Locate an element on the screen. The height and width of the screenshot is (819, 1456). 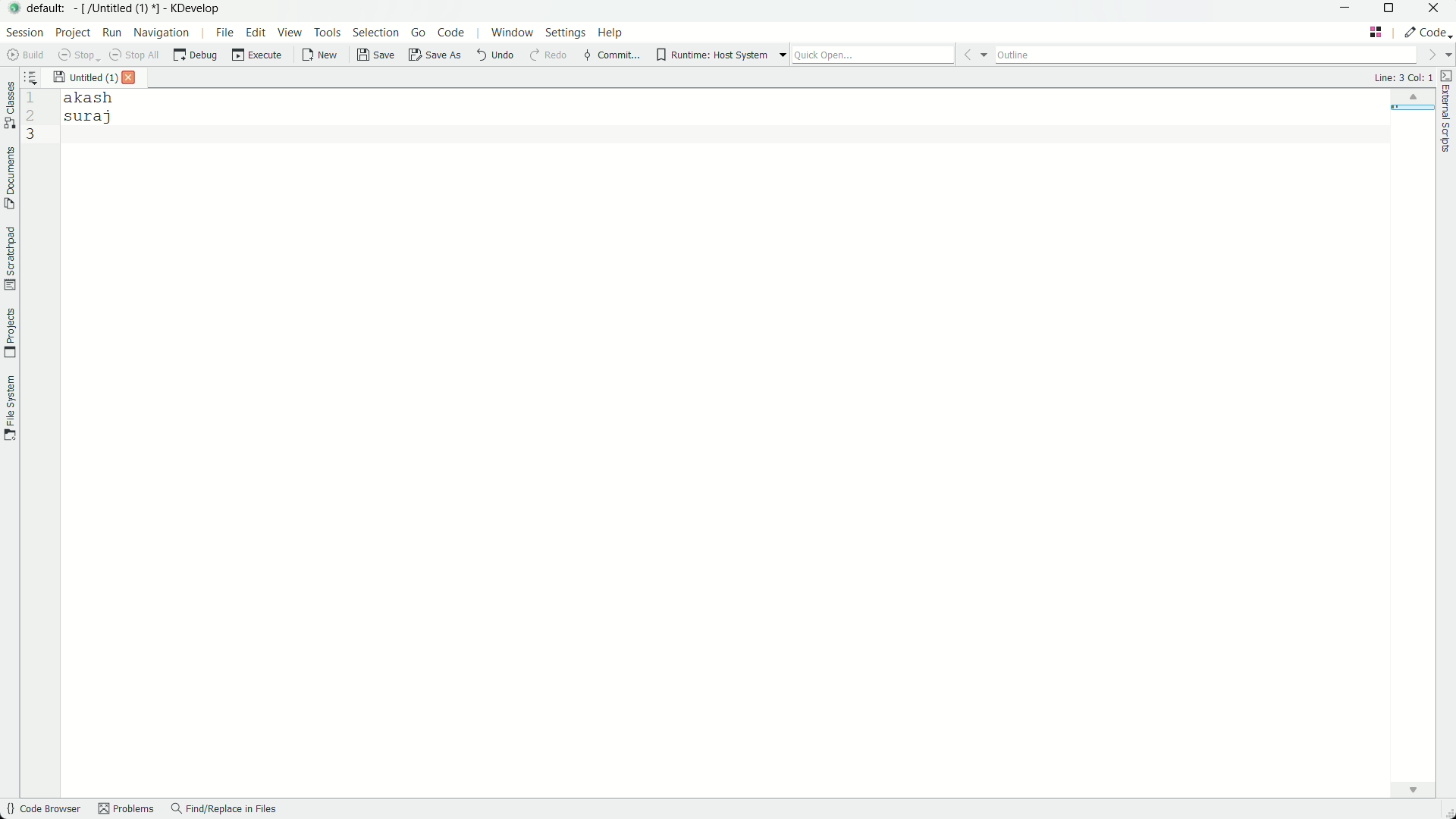
close file is located at coordinates (130, 78).